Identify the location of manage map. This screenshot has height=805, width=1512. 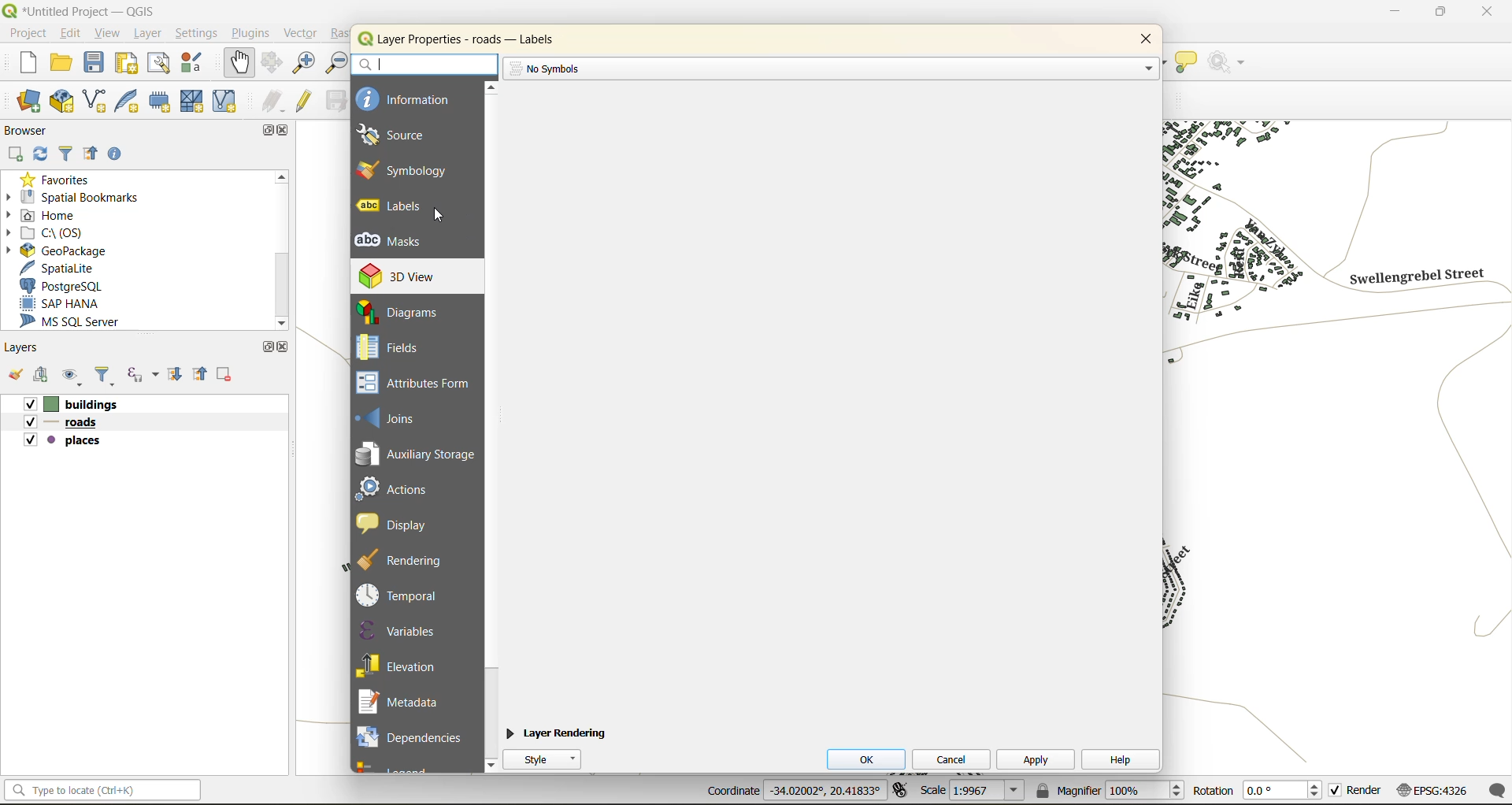
(74, 376).